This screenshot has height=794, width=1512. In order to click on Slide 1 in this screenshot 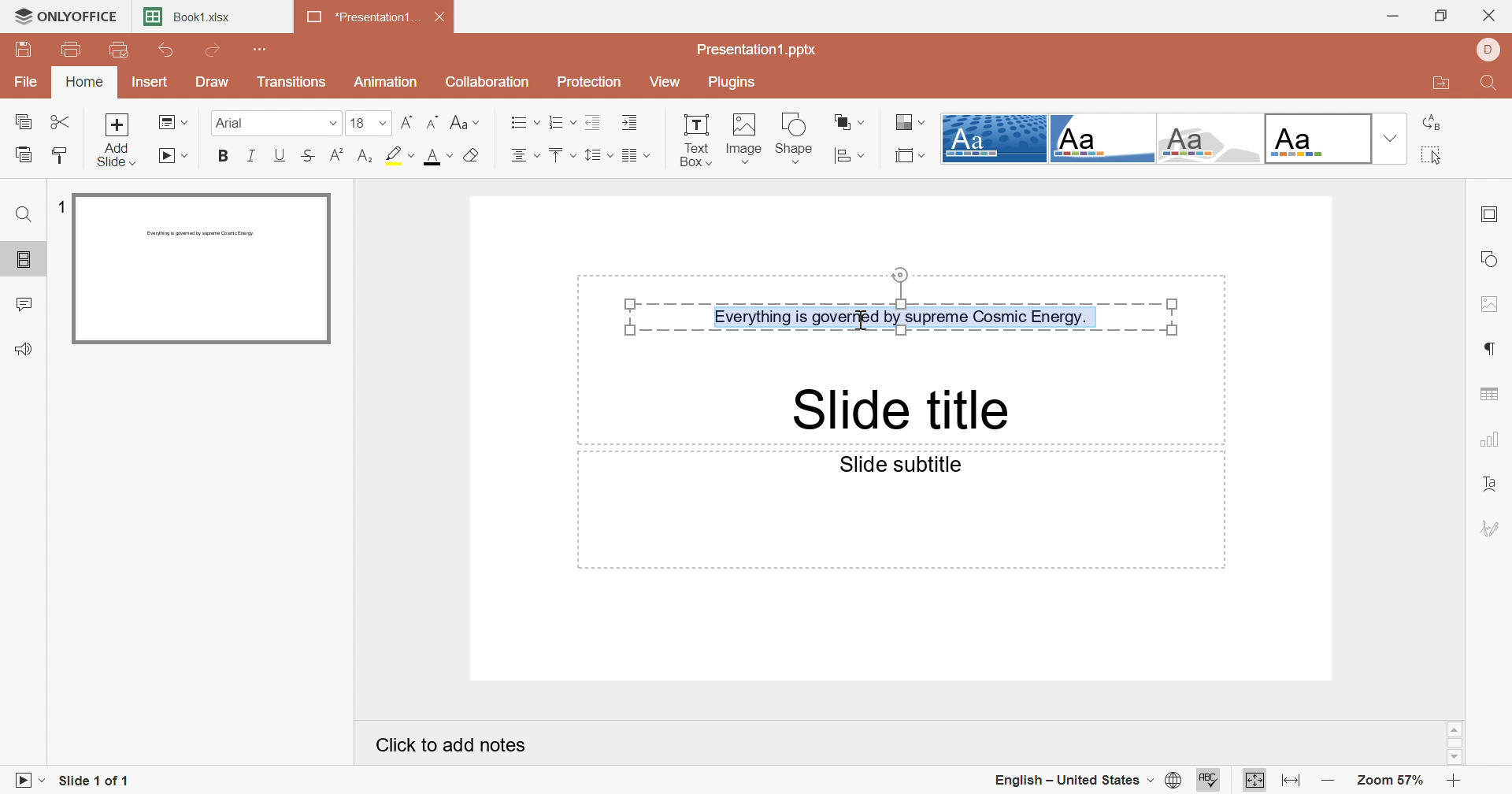, I will do `click(202, 269)`.